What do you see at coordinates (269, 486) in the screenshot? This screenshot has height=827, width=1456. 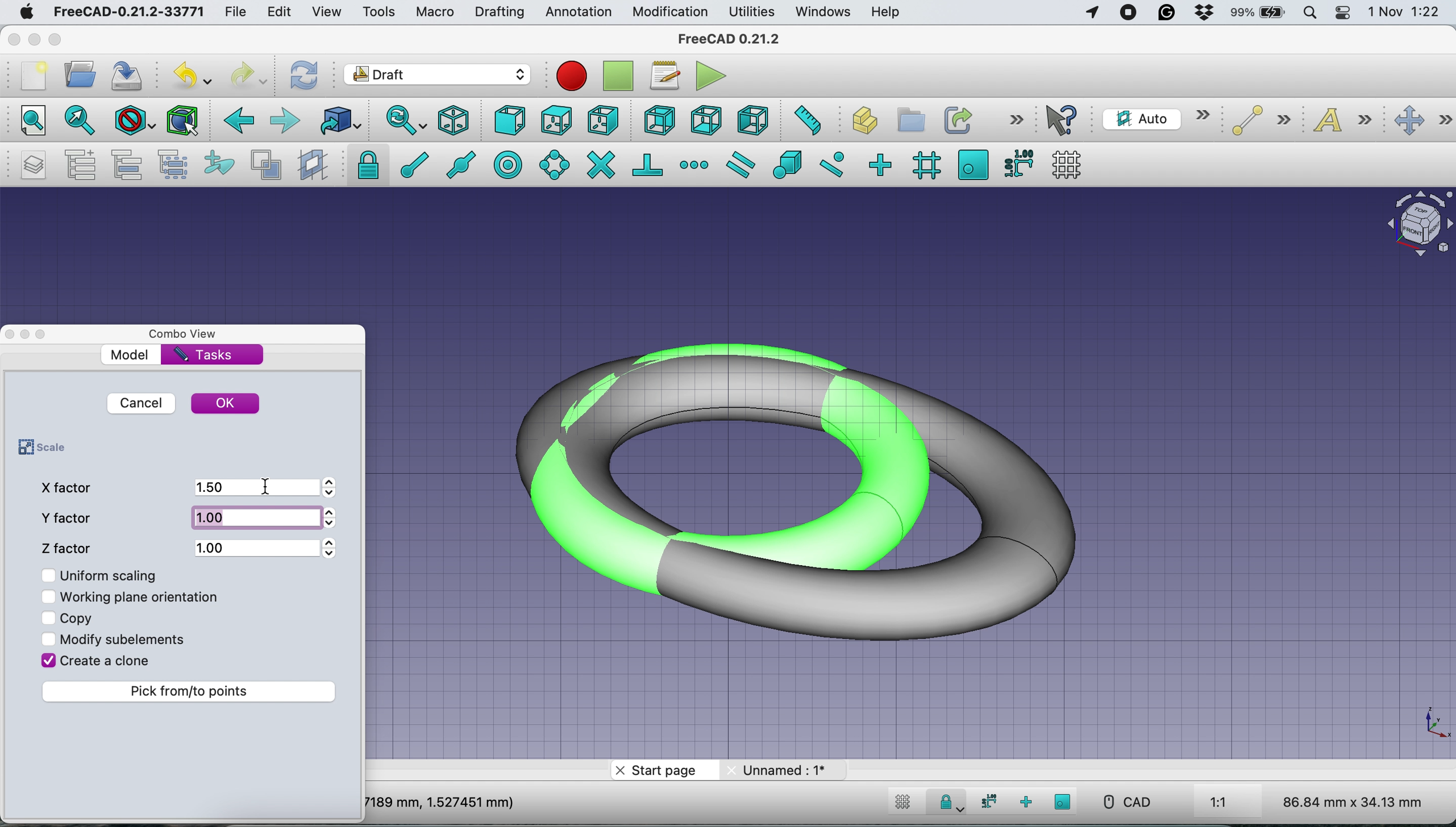 I see `cursor` at bounding box center [269, 486].